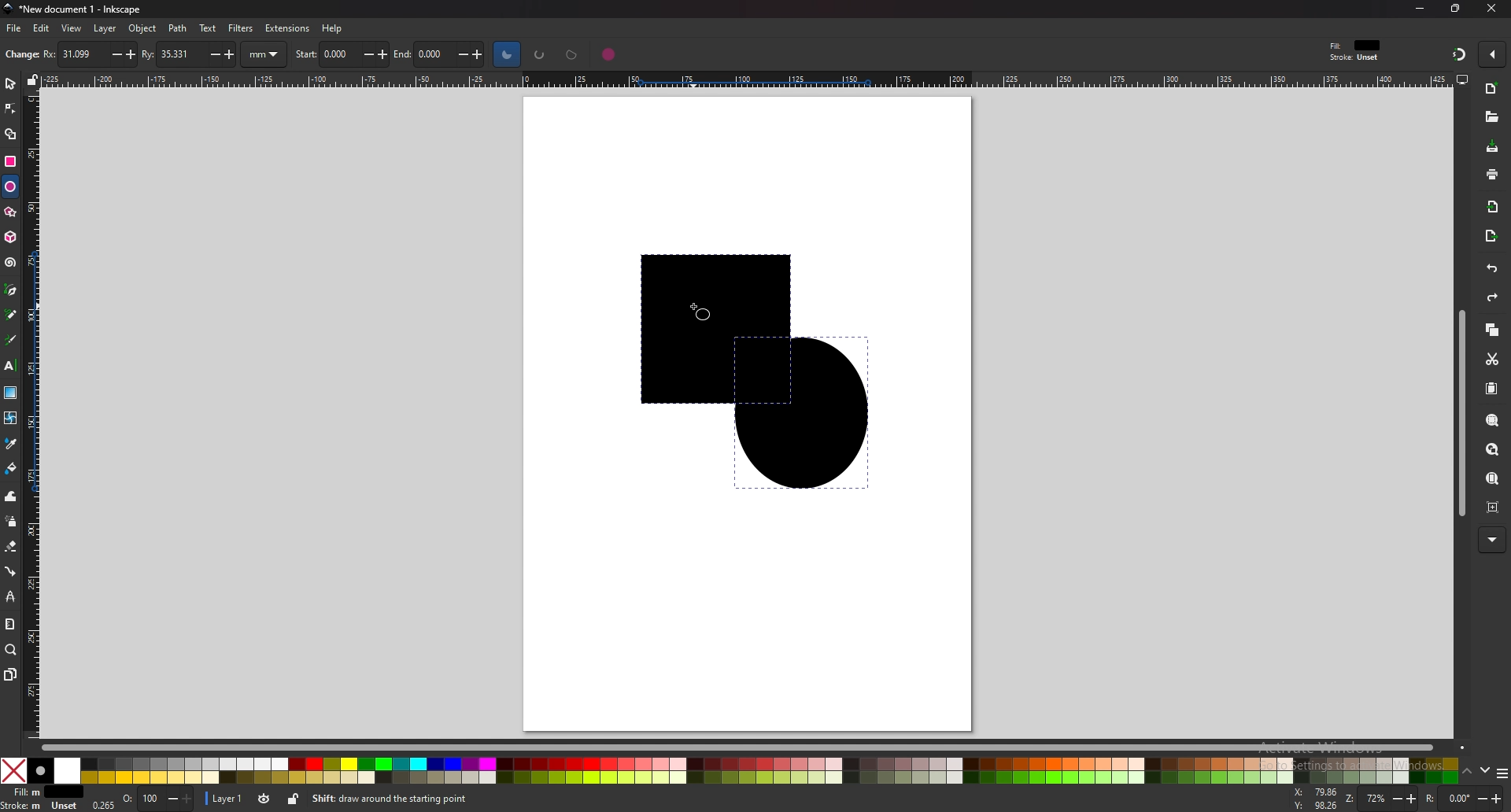 This screenshot has height=812, width=1511. What do you see at coordinates (1459, 412) in the screenshot?
I see `scroll bar` at bounding box center [1459, 412].